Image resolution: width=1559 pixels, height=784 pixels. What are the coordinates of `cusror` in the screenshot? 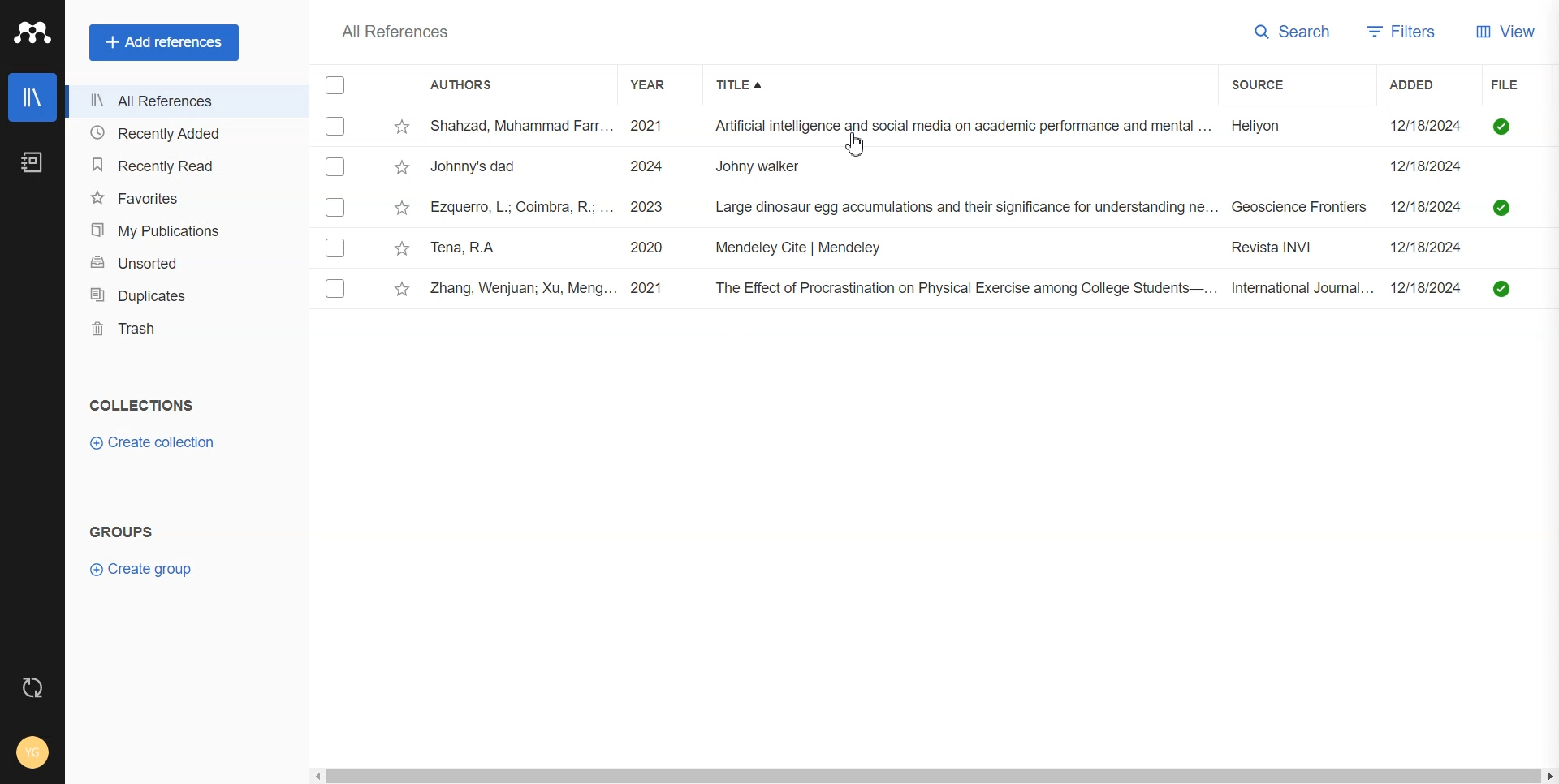 It's located at (855, 145).